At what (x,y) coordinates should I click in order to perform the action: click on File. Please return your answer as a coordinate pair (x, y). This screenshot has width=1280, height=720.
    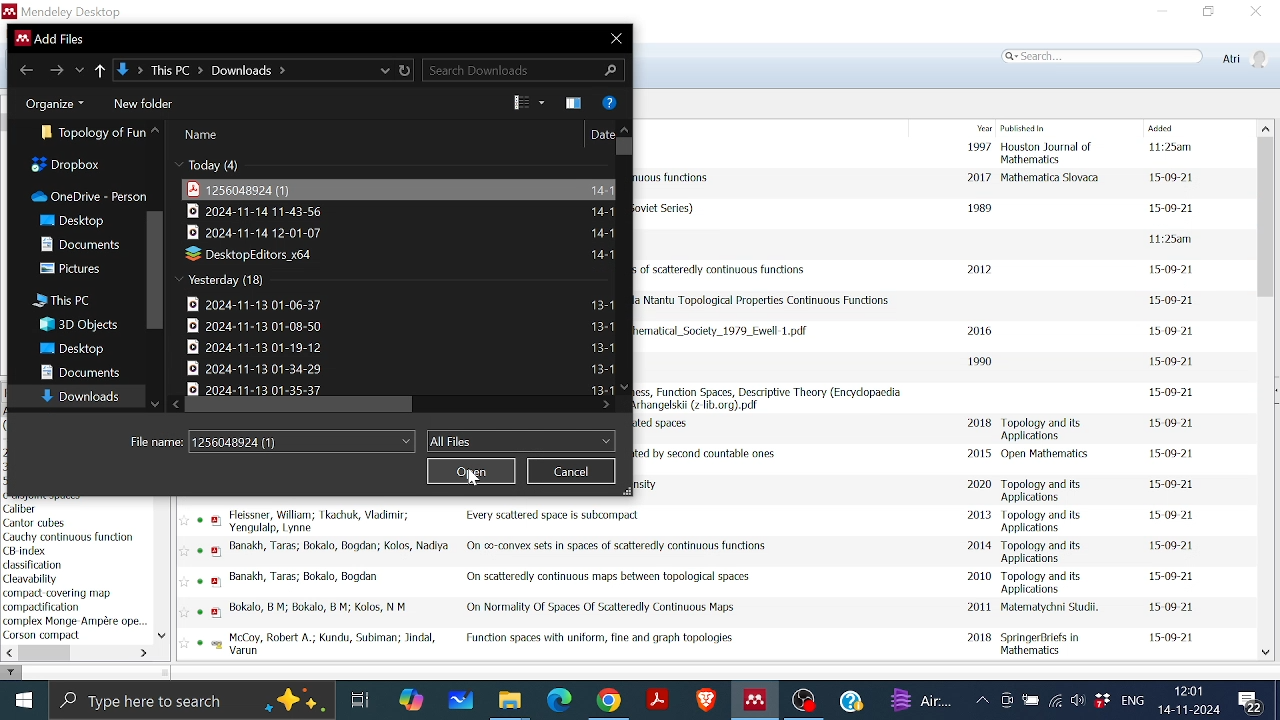
    Looking at the image, I should click on (602, 369).